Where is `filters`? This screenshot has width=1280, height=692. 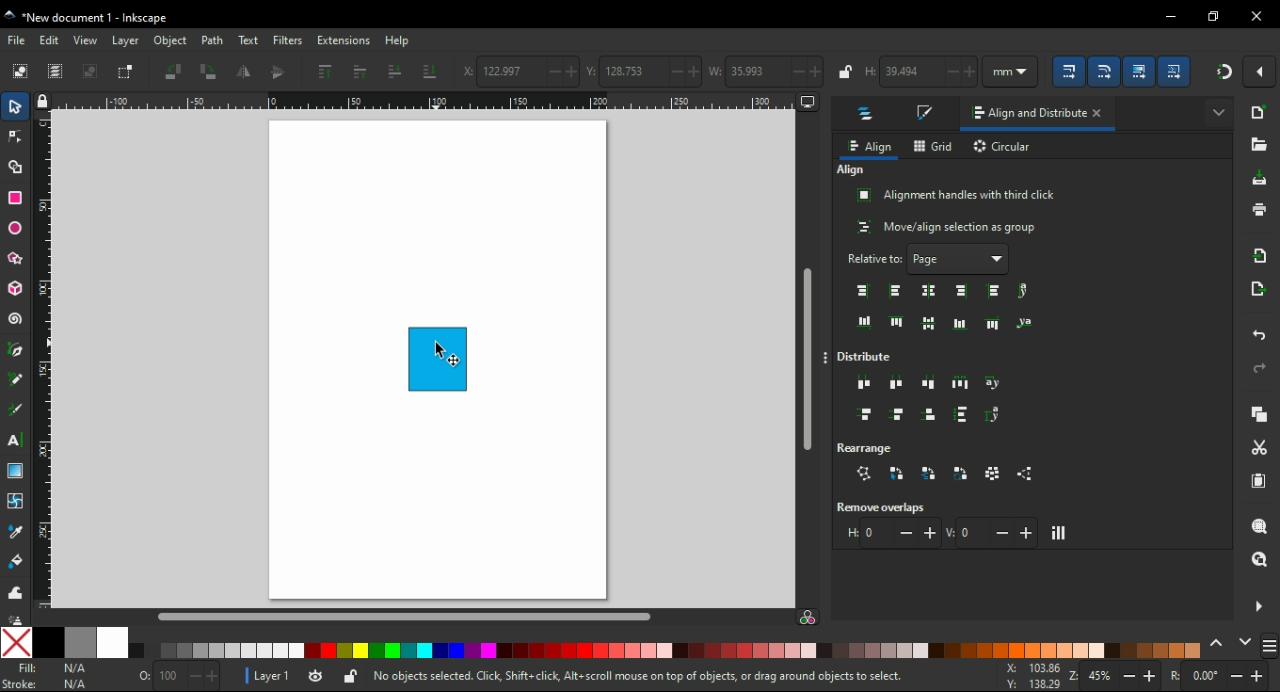 filters is located at coordinates (288, 42).